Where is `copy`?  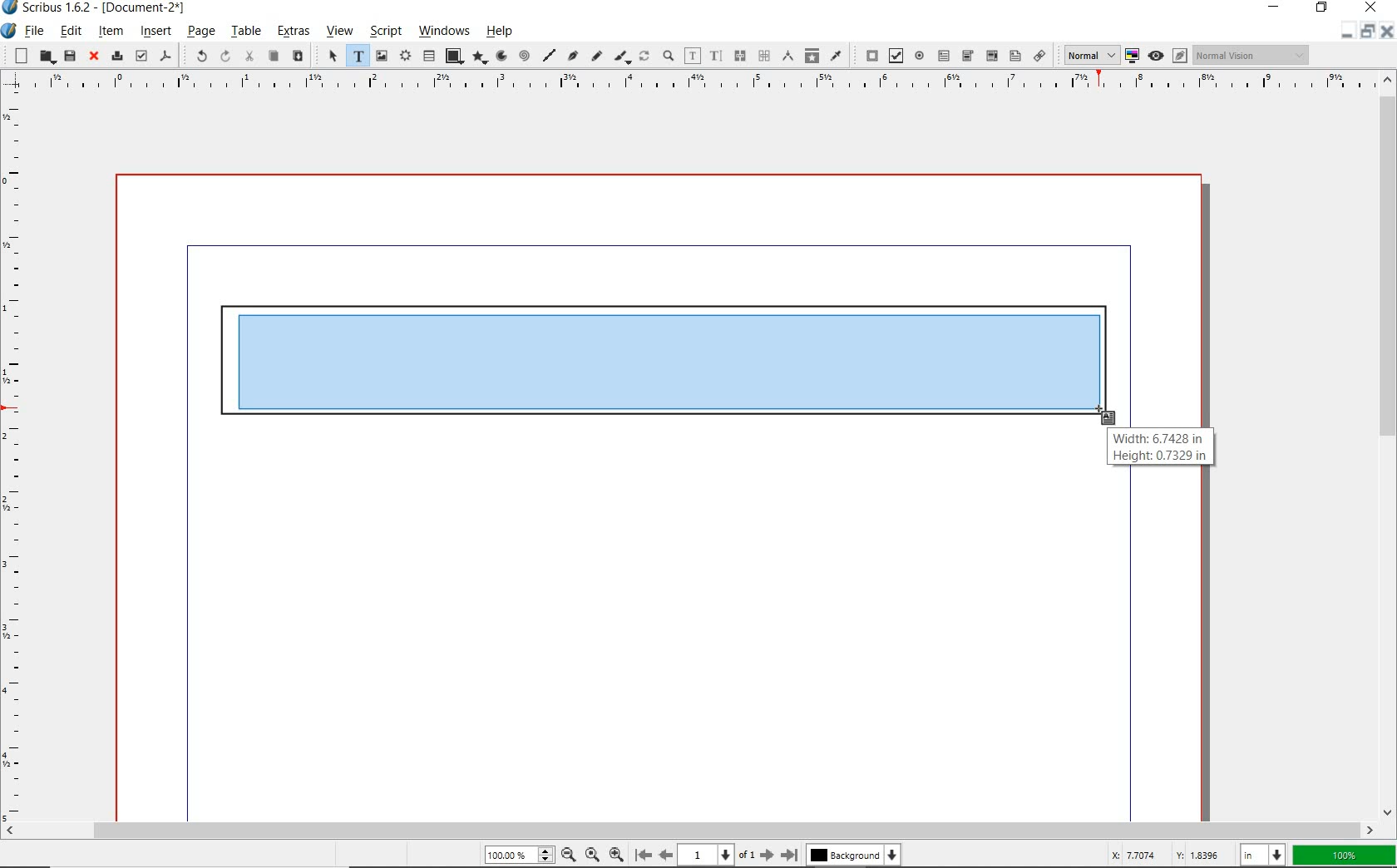 copy is located at coordinates (273, 57).